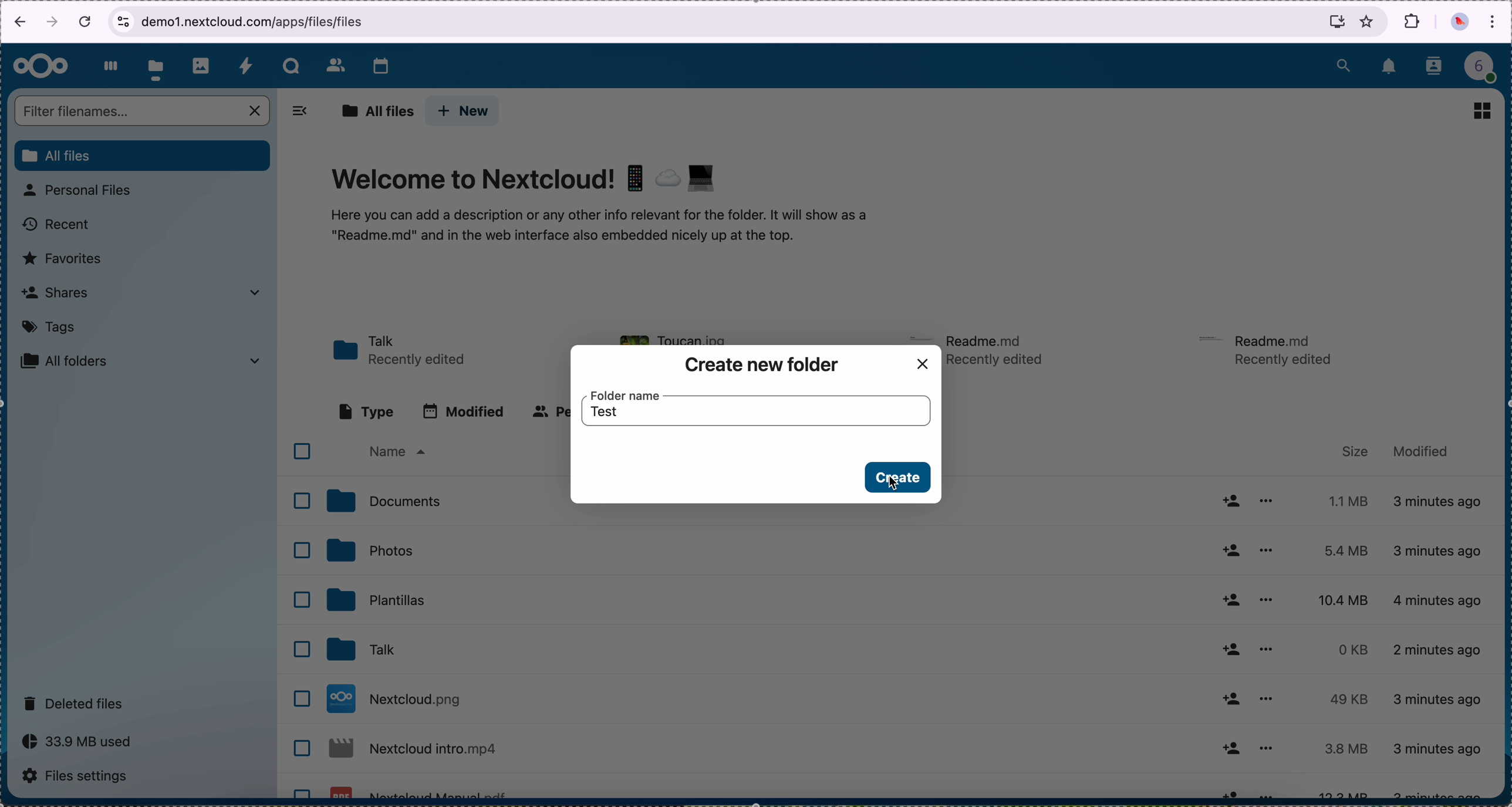 The height and width of the screenshot is (807, 1512). Describe the element at coordinates (1264, 748) in the screenshot. I see `more options` at that location.